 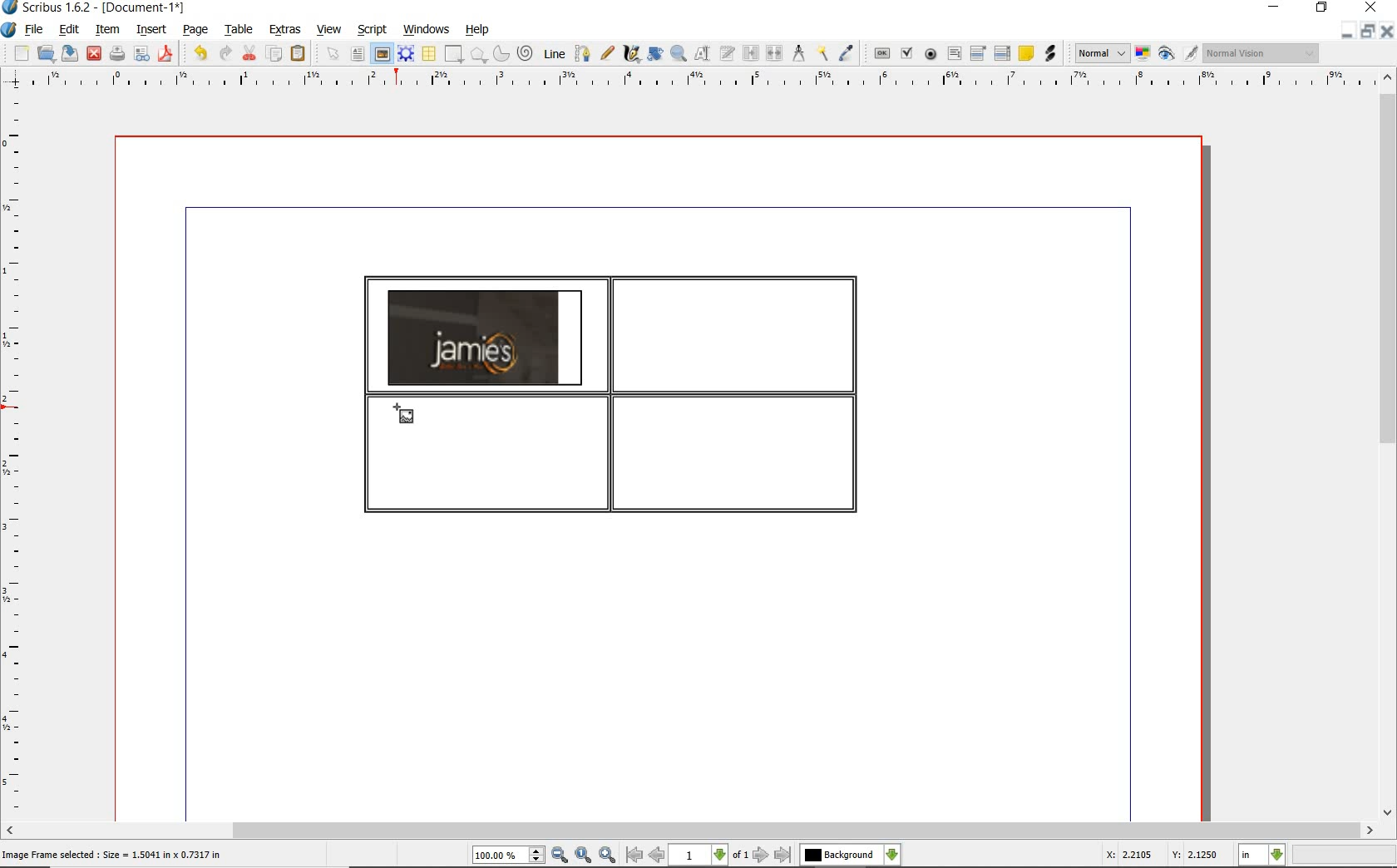 I want to click on select current zoom level, so click(x=508, y=856).